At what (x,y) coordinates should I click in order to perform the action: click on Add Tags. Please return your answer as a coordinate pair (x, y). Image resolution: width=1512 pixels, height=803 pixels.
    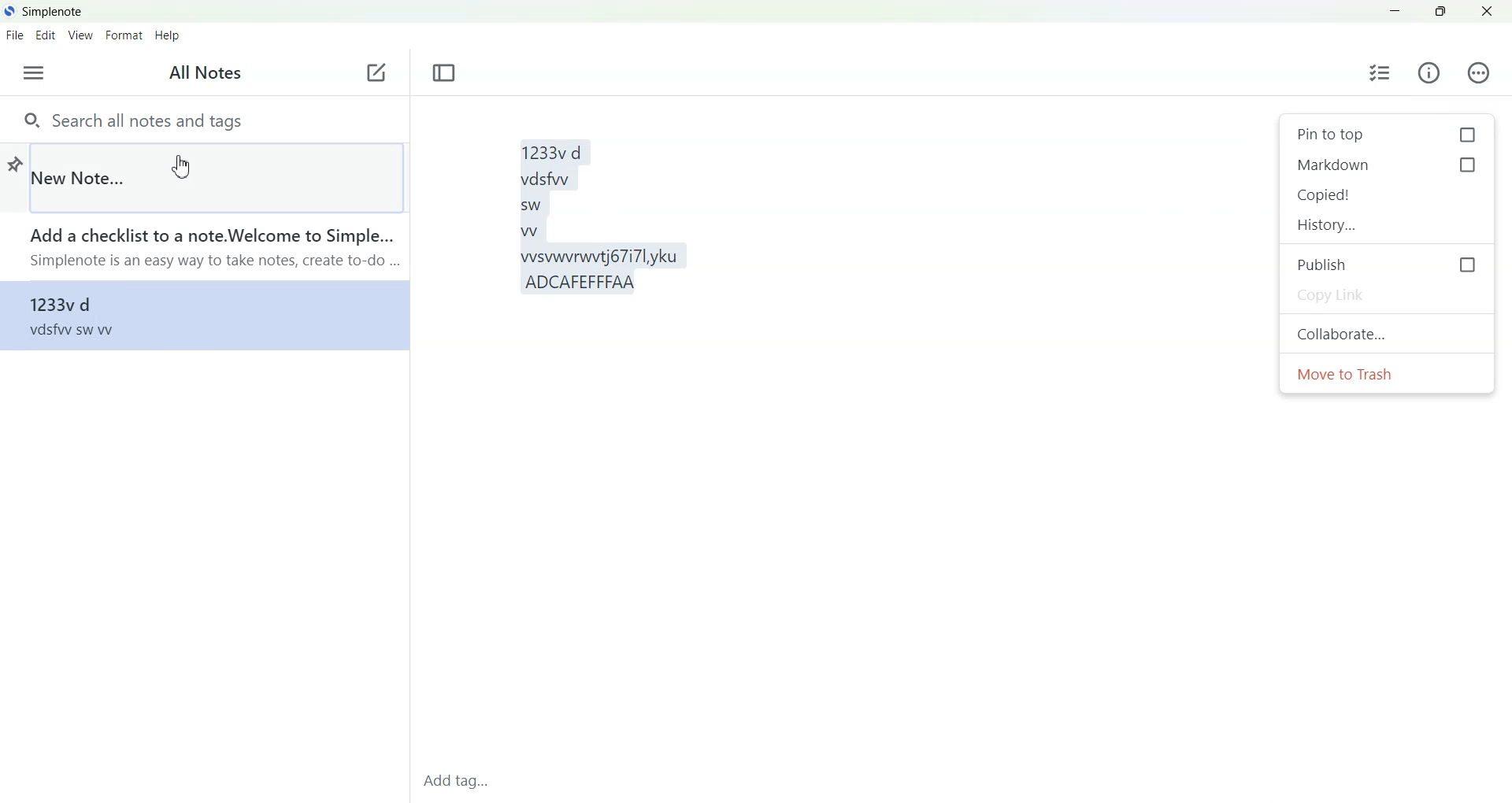
    Looking at the image, I should click on (461, 782).